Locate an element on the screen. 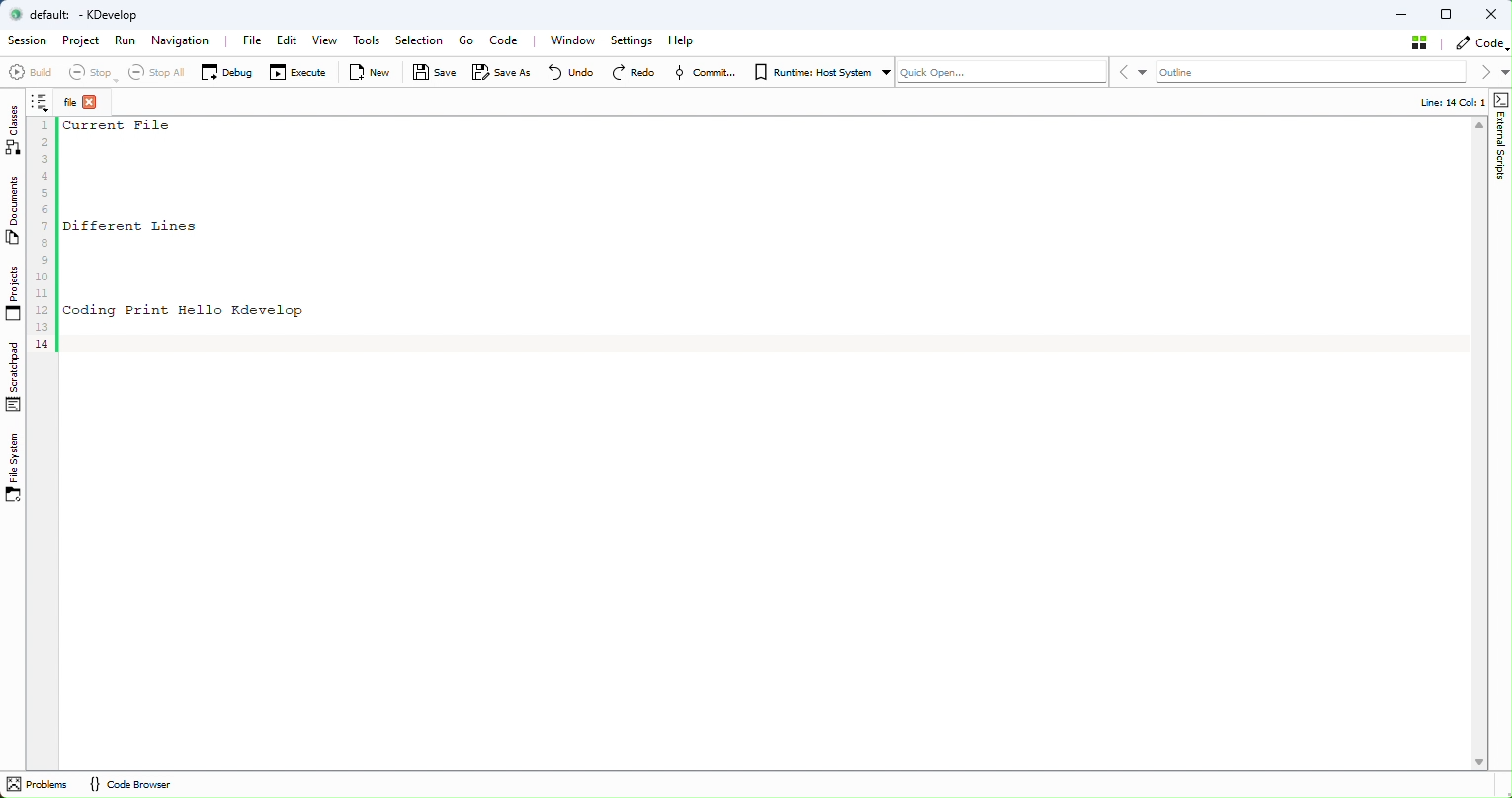  Code is located at coordinates (510, 40).